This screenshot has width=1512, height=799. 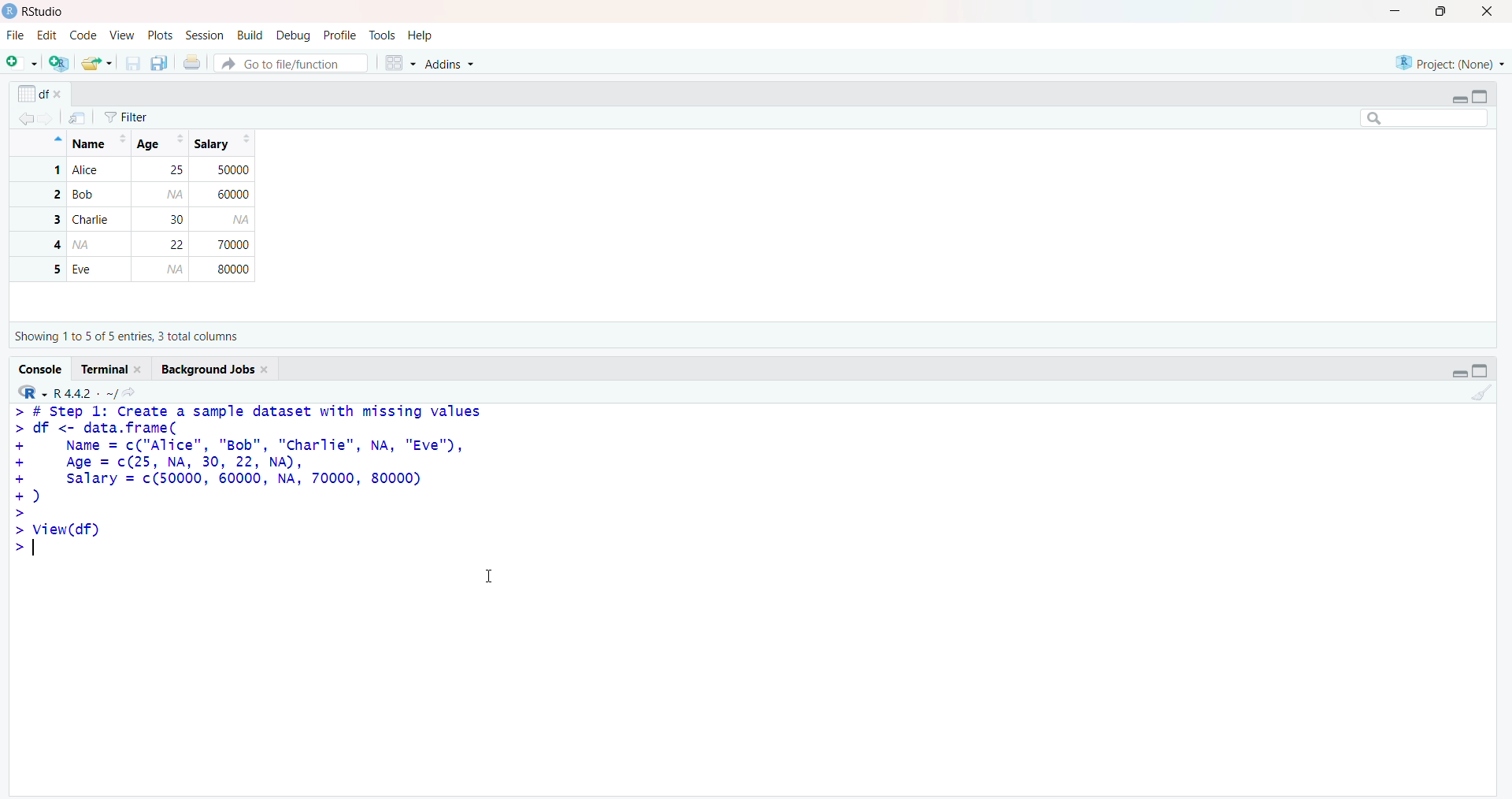 I want to click on df, so click(x=41, y=91).